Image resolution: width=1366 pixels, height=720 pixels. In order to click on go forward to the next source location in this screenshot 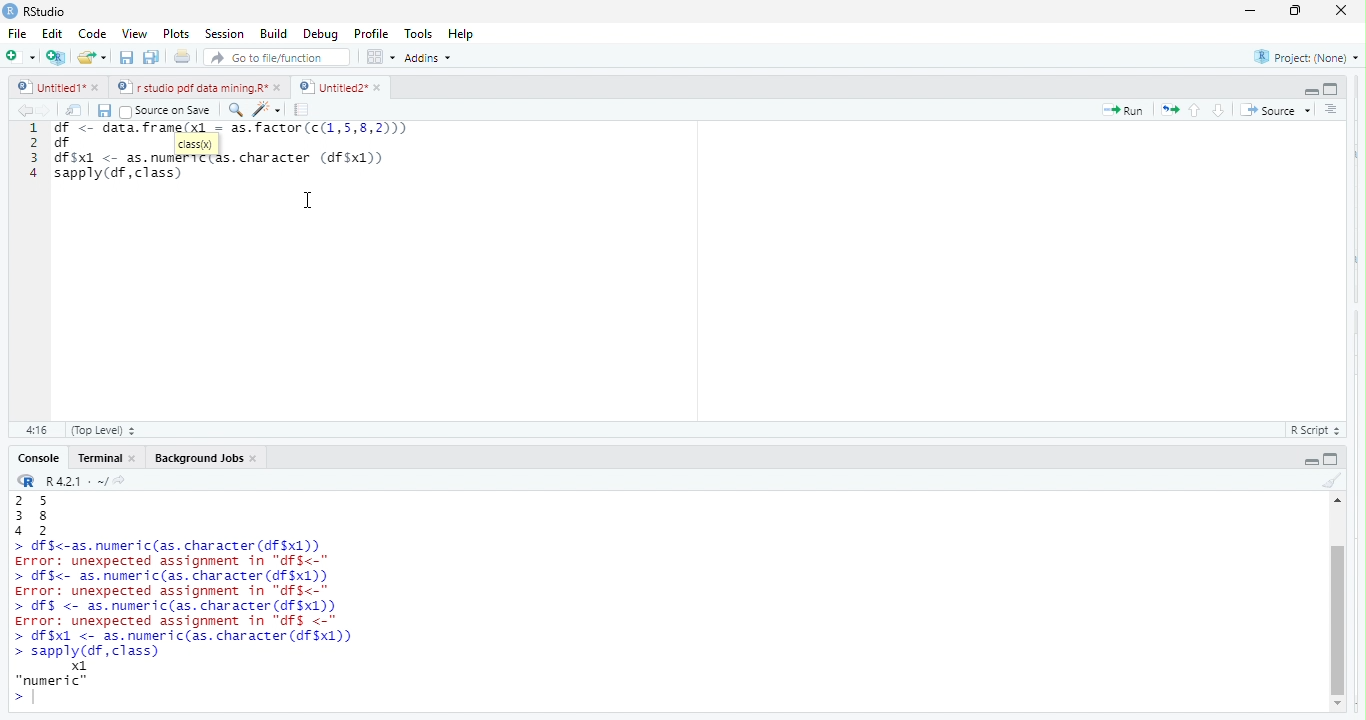, I will do `click(49, 110)`.